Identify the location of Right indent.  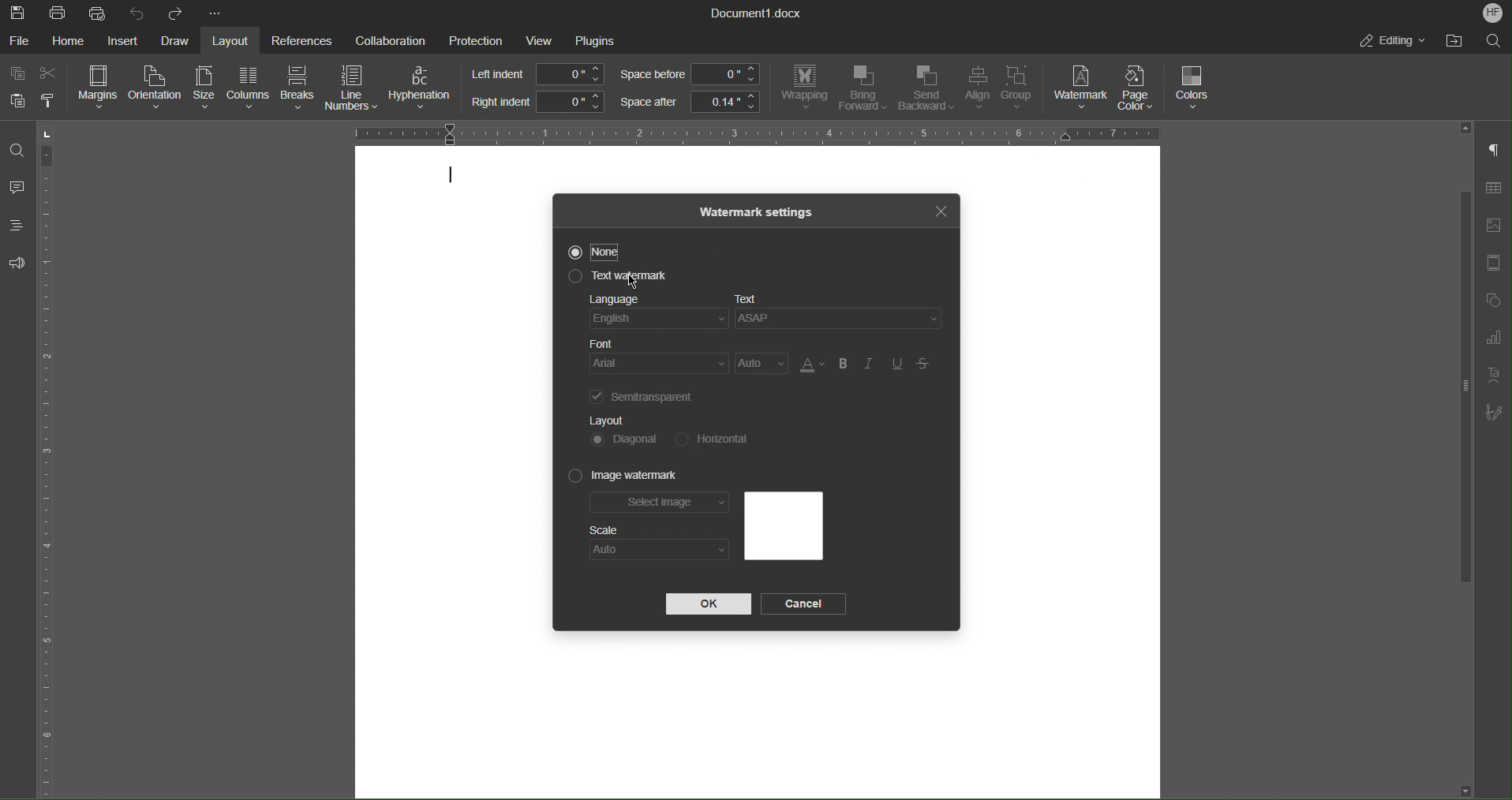
(537, 102).